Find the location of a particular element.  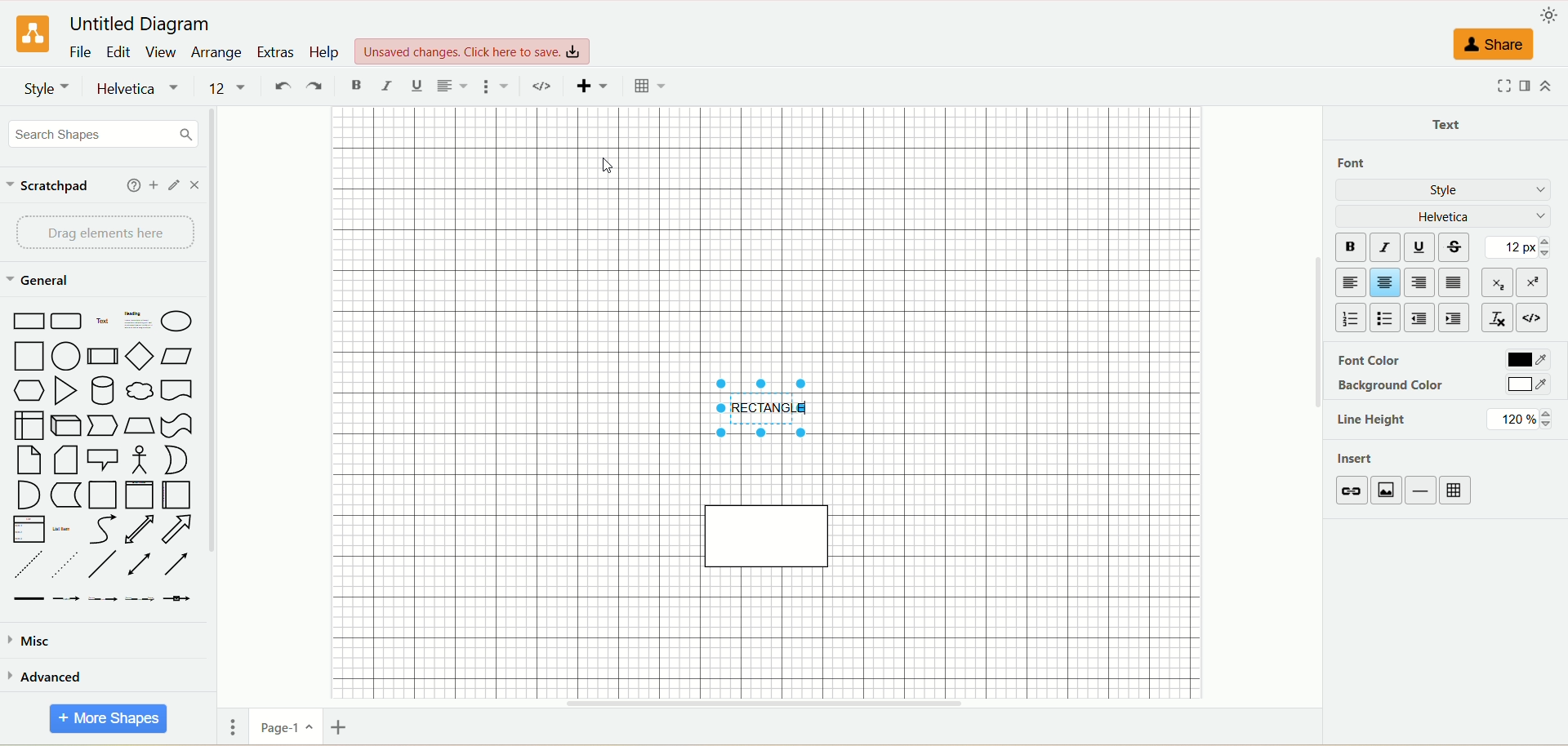

line height is located at coordinates (1442, 419).